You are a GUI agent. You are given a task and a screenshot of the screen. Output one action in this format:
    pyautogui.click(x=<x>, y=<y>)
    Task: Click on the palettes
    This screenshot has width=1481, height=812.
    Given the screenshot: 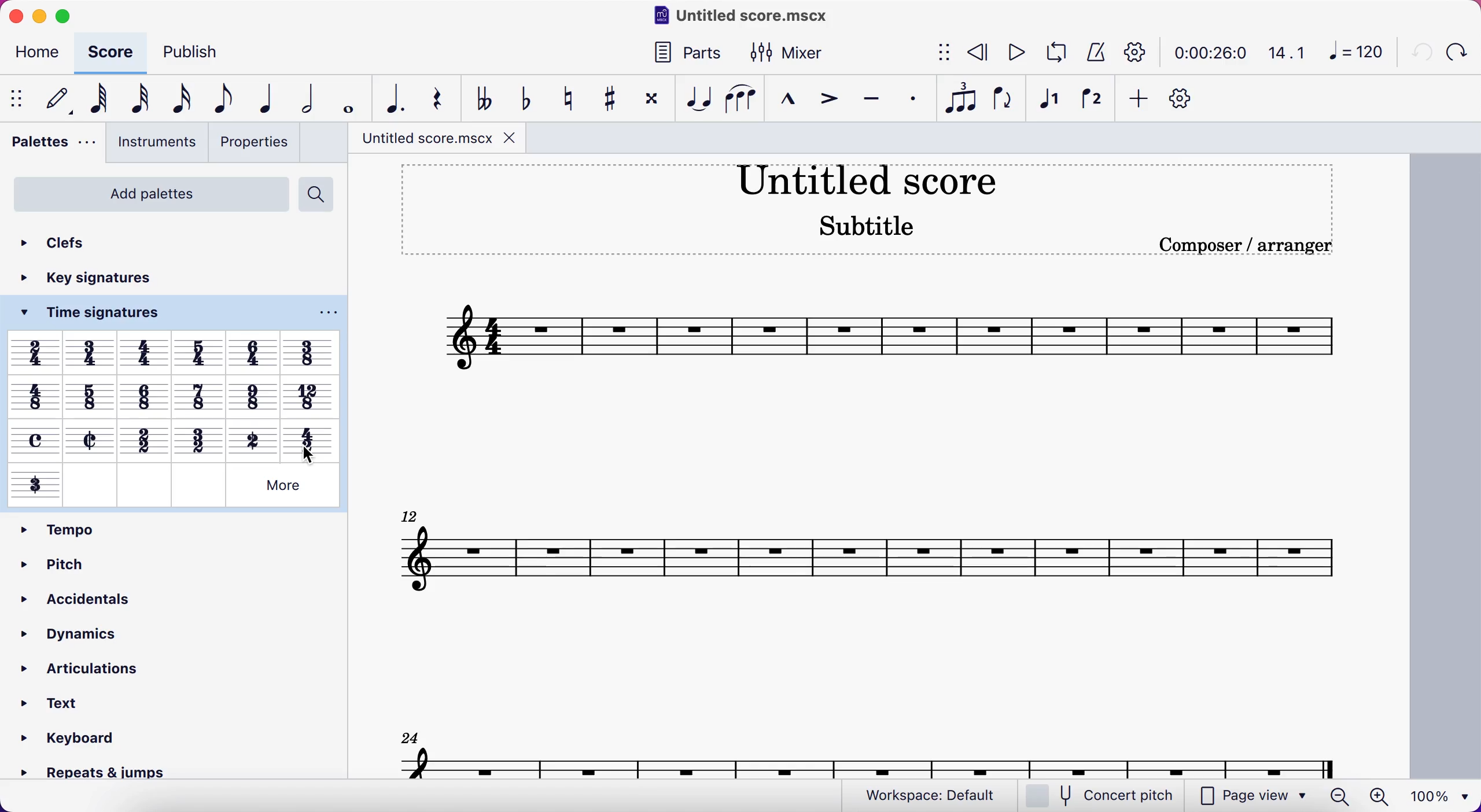 What is the action you would take?
    pyautogui.click(x=52, y=145)
    